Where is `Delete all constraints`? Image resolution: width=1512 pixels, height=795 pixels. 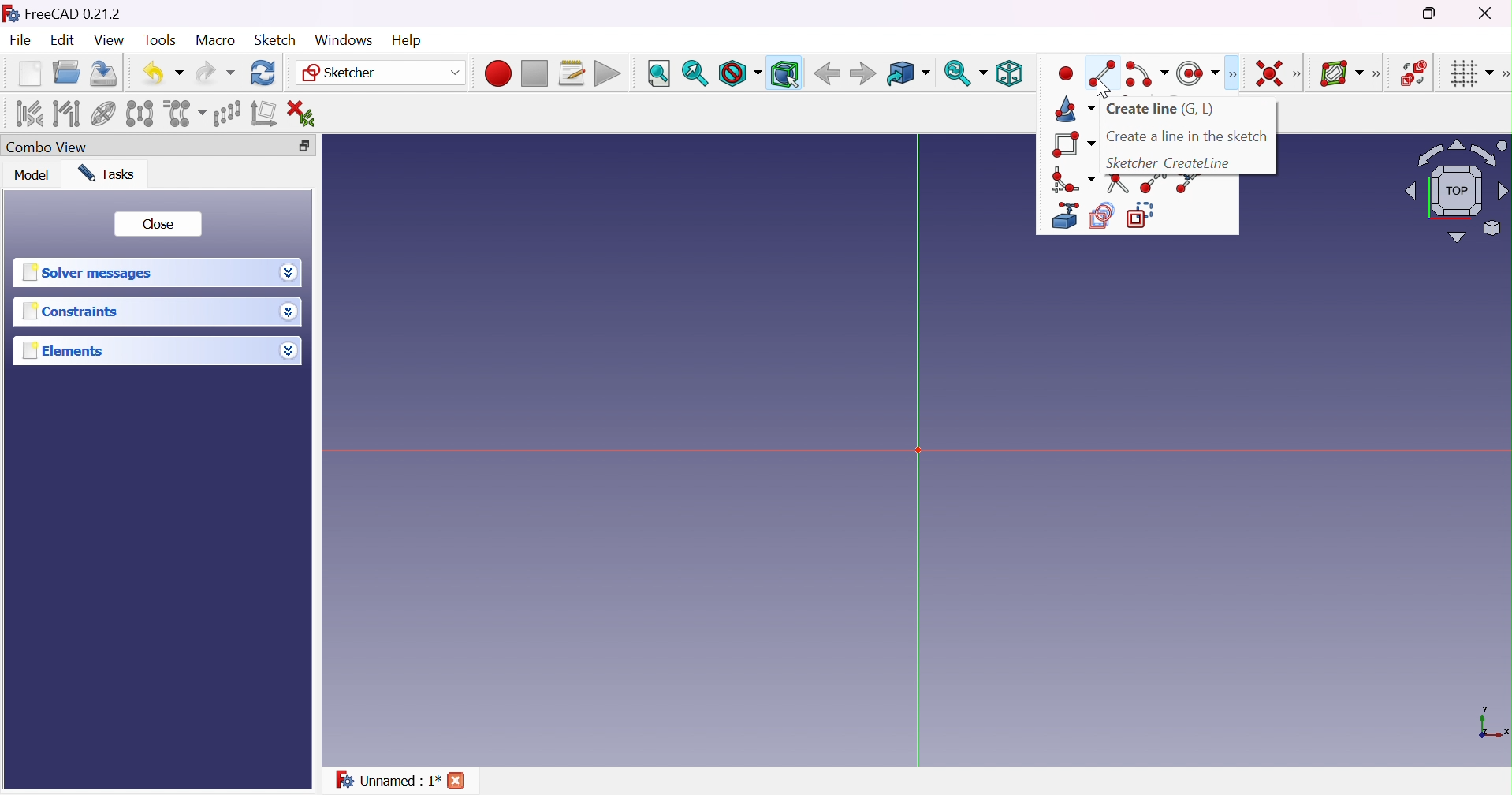
Delete all constraints is located at coordinates (306, 113).